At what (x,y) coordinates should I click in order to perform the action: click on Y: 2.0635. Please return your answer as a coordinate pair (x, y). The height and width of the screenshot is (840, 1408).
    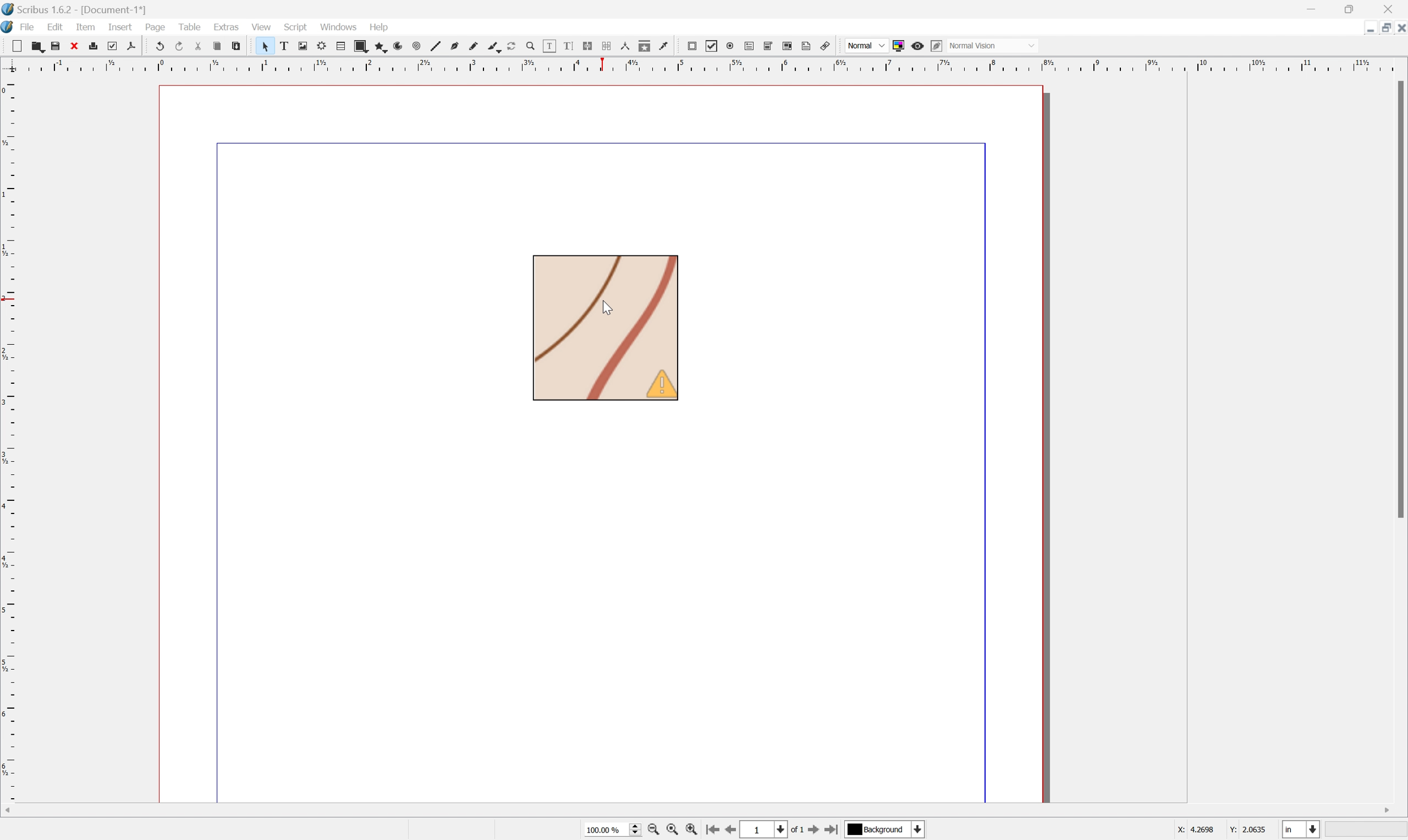
    Looking at the image, I should click on (1249, 830).